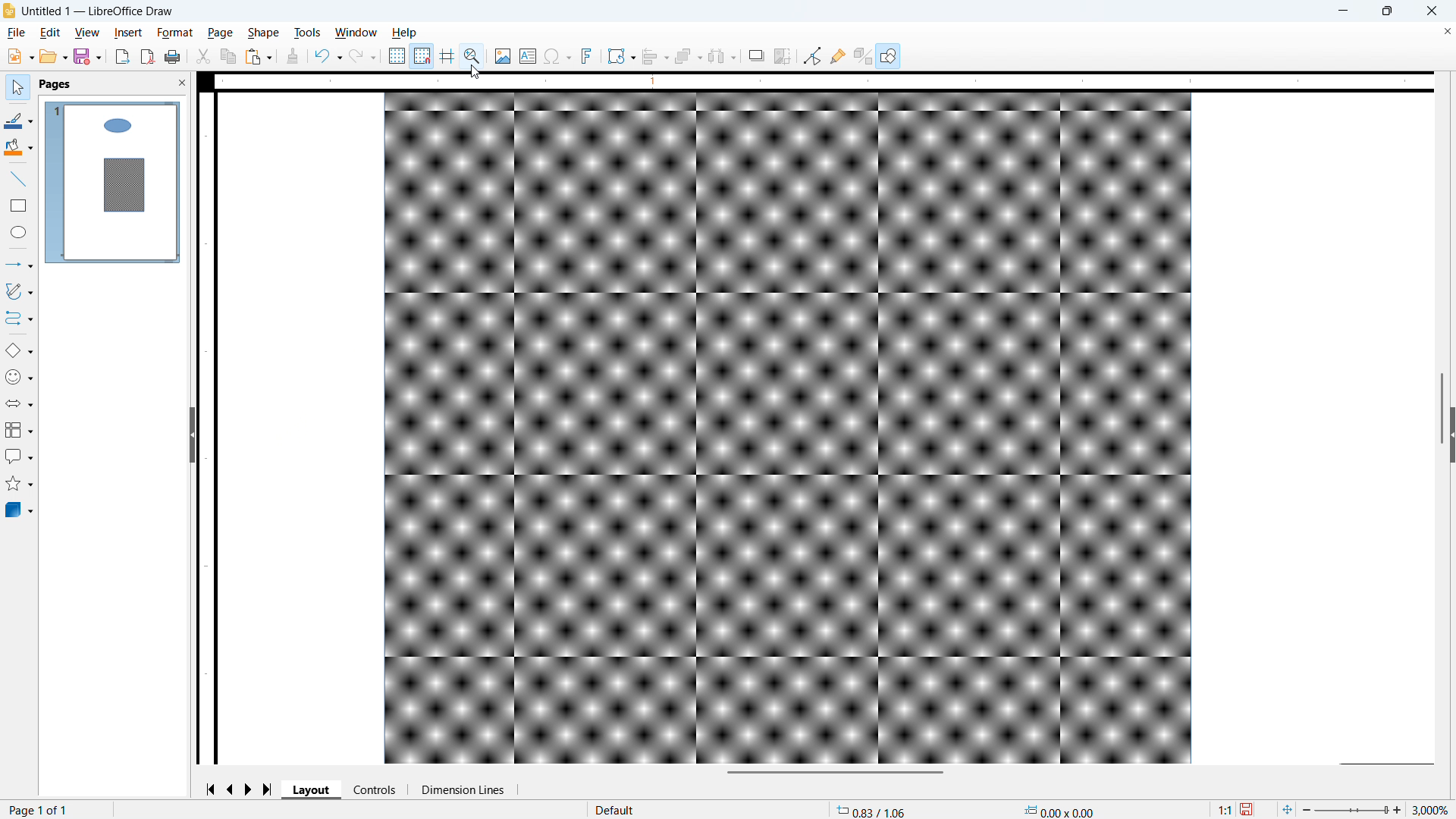  What do you see at coordinates (98, 11) in the screenshot?
I see `Document title ` at bounding box center [98, 11].